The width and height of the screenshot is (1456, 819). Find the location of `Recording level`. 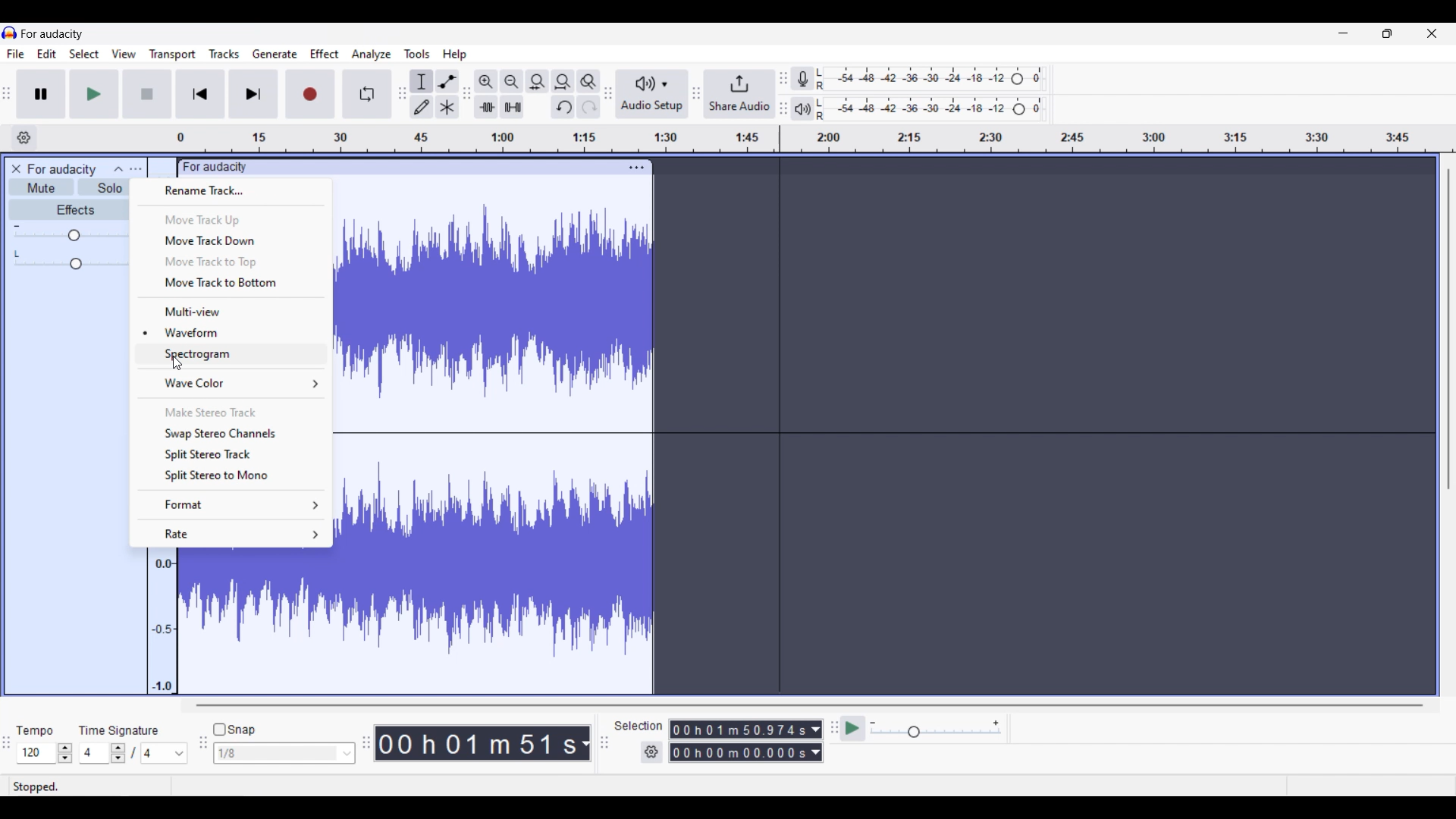

Recording level is located at coordinates (930, 77).